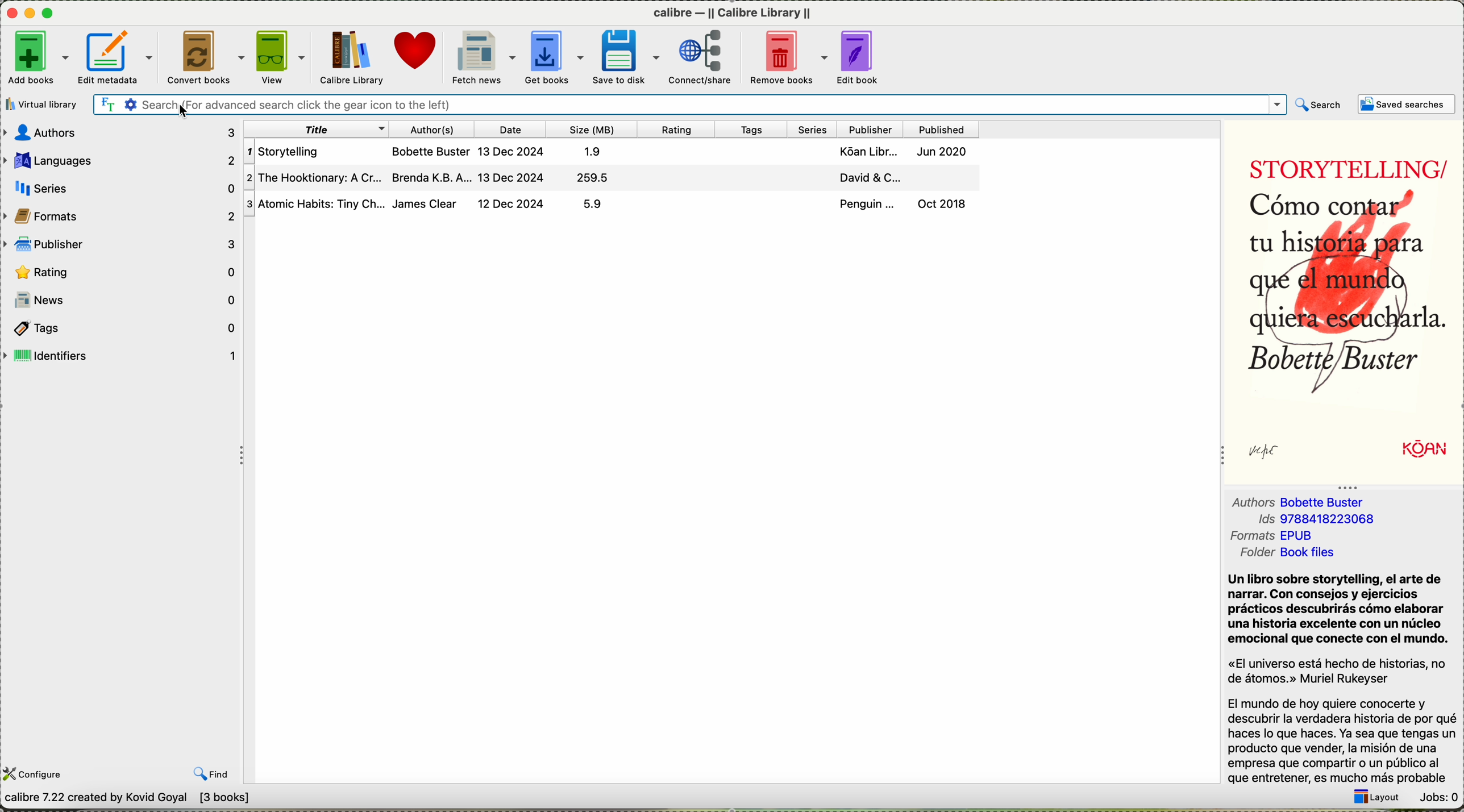  What do you see at coordinates (32, 14) in the screenshot?
I see `minimize ` at bounding box center [32, 14].